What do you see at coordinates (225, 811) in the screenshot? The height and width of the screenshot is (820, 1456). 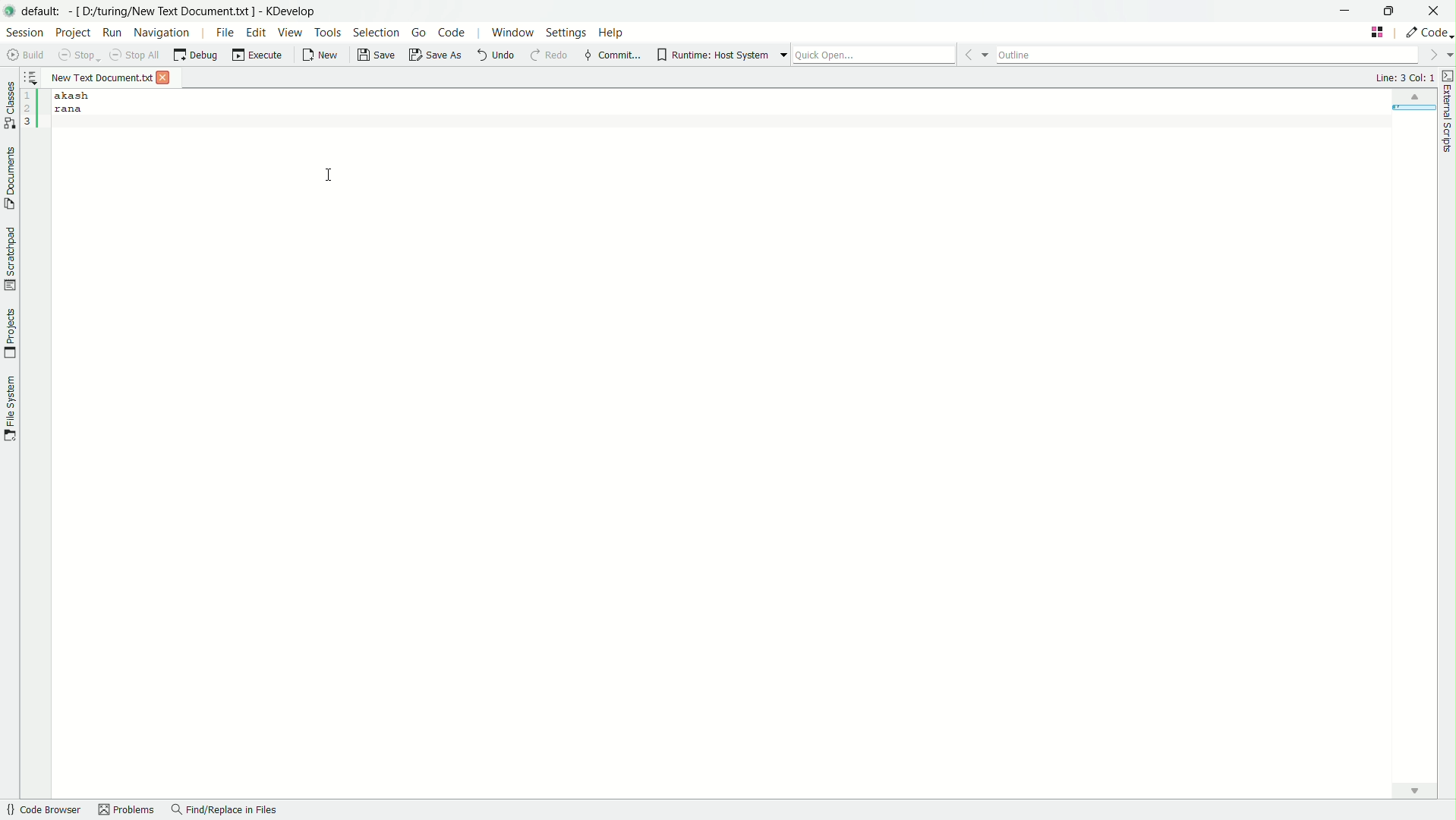 I see `find/replace files` at bounding box center [225, 811].